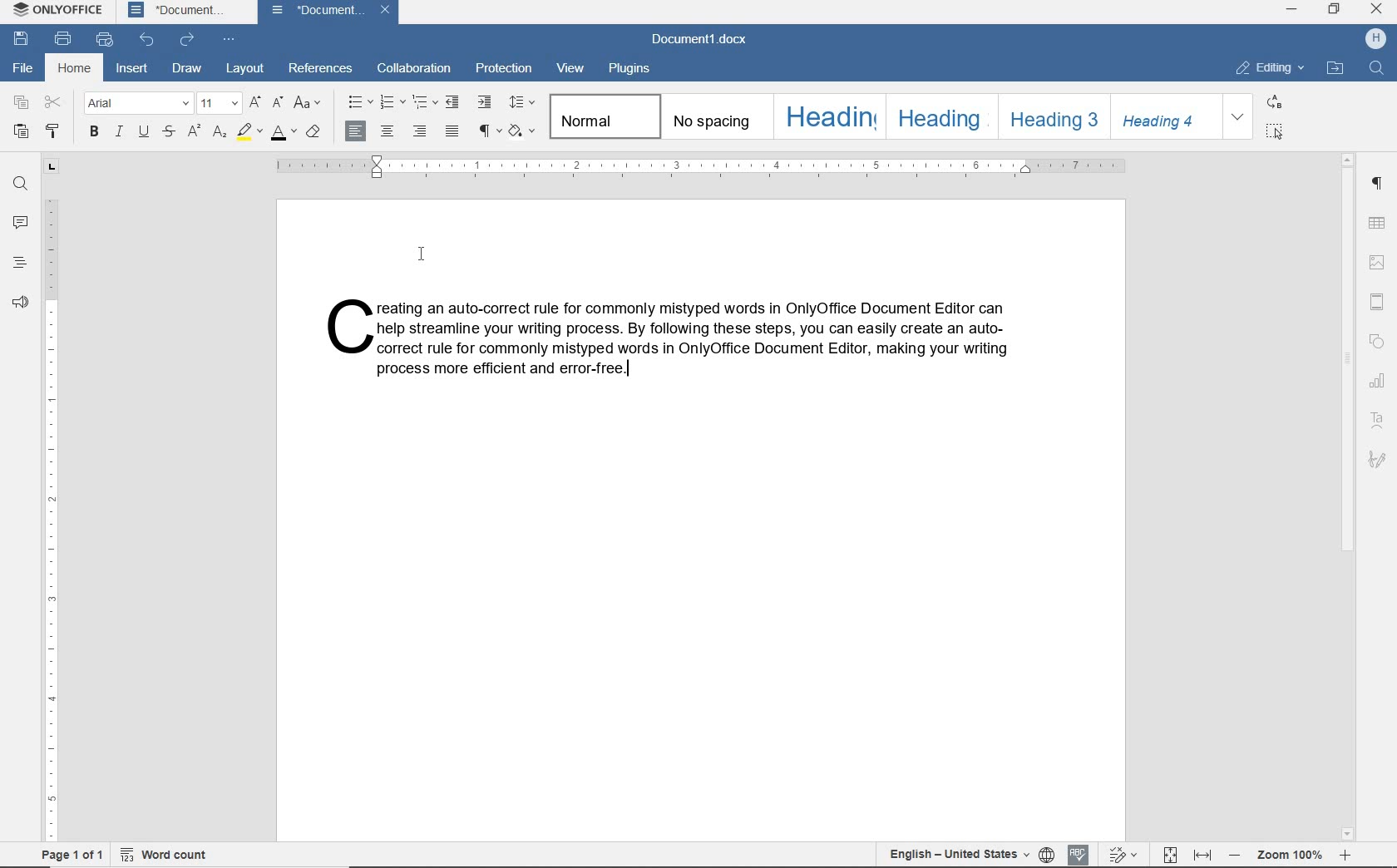  Describe the element at coordinates (938, 117) in the screenshot. I see `HEADING 2` at that location.